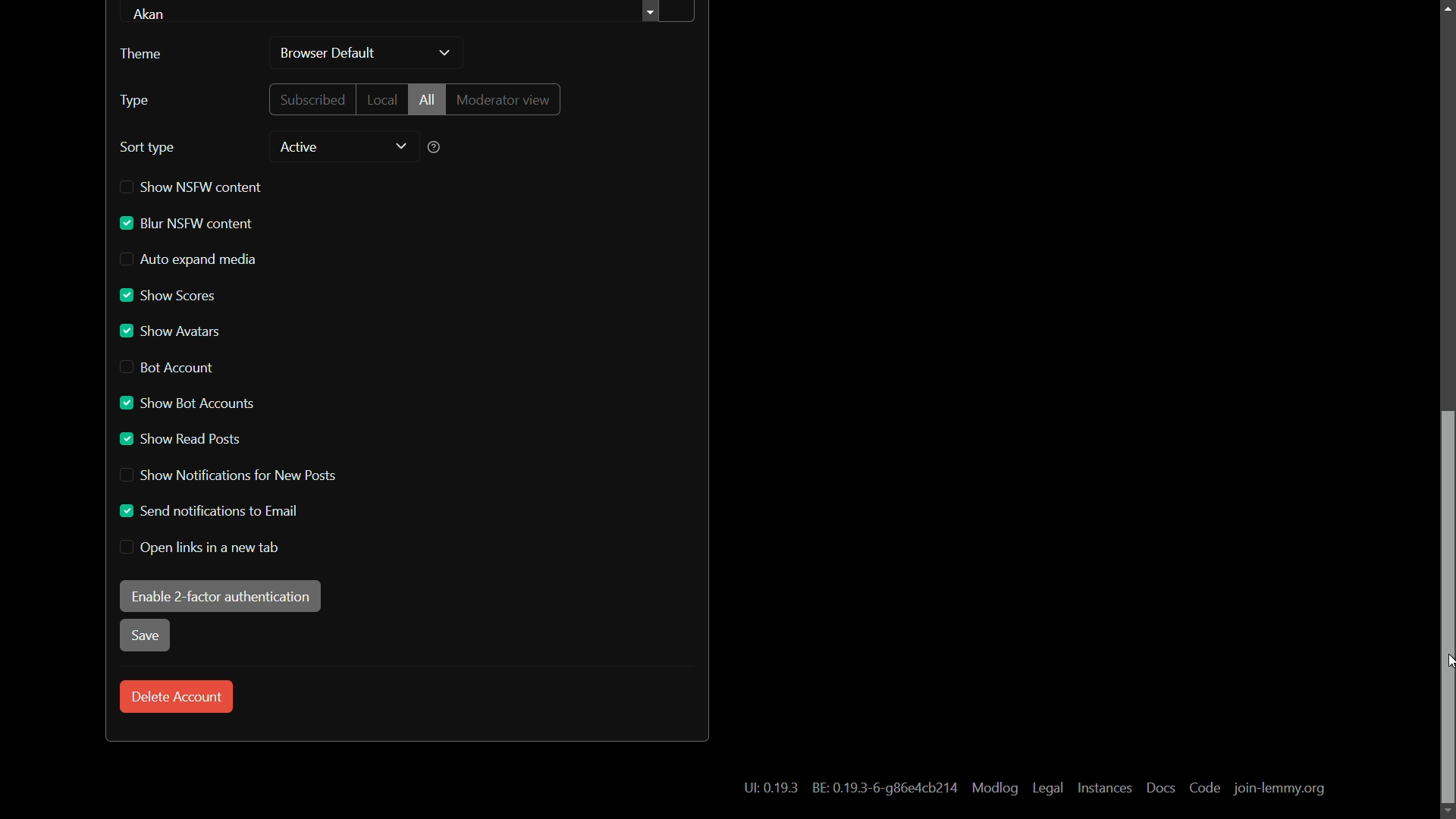 Image resolution: width=1456 pixels, height=819 pixels. What do you see at coordinates (185, 403) in the screenshot?
I see `show bot accounts` at bounding box center [185, 403].